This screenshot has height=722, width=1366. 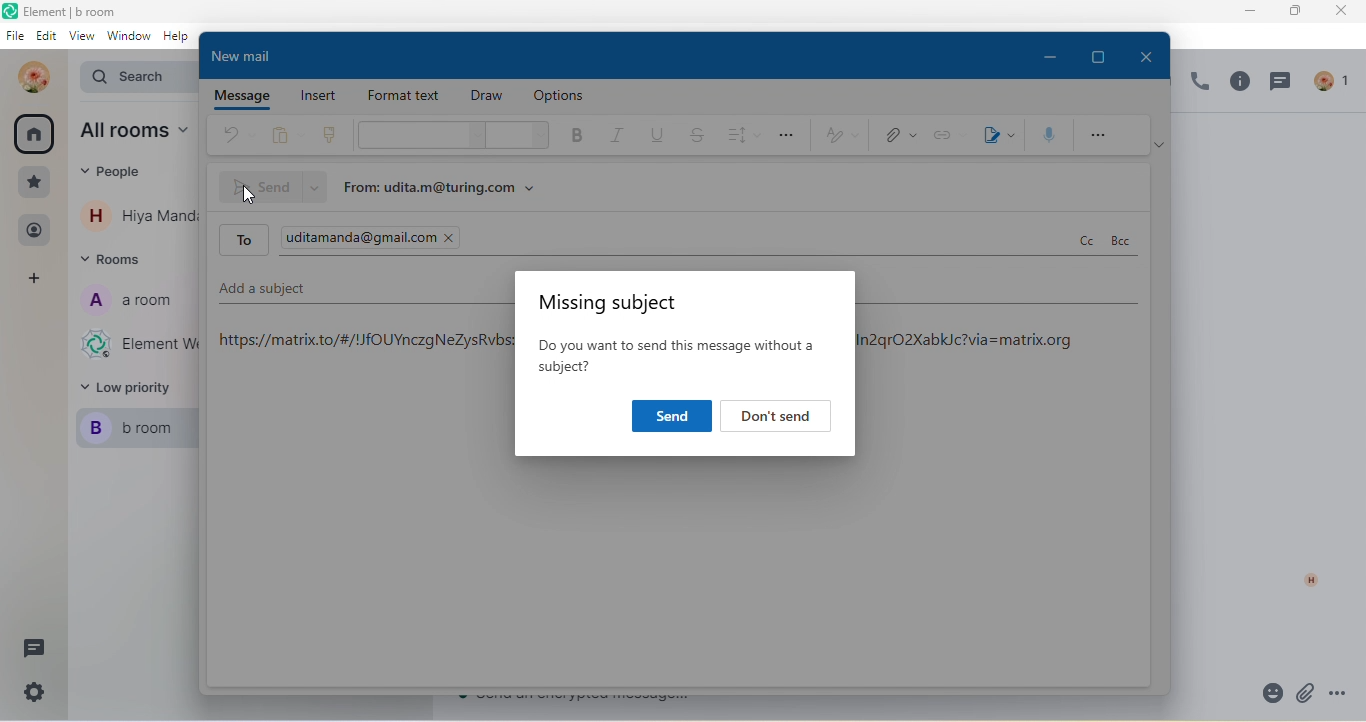 I want to click on maximize, so click(x=1104, y=53).